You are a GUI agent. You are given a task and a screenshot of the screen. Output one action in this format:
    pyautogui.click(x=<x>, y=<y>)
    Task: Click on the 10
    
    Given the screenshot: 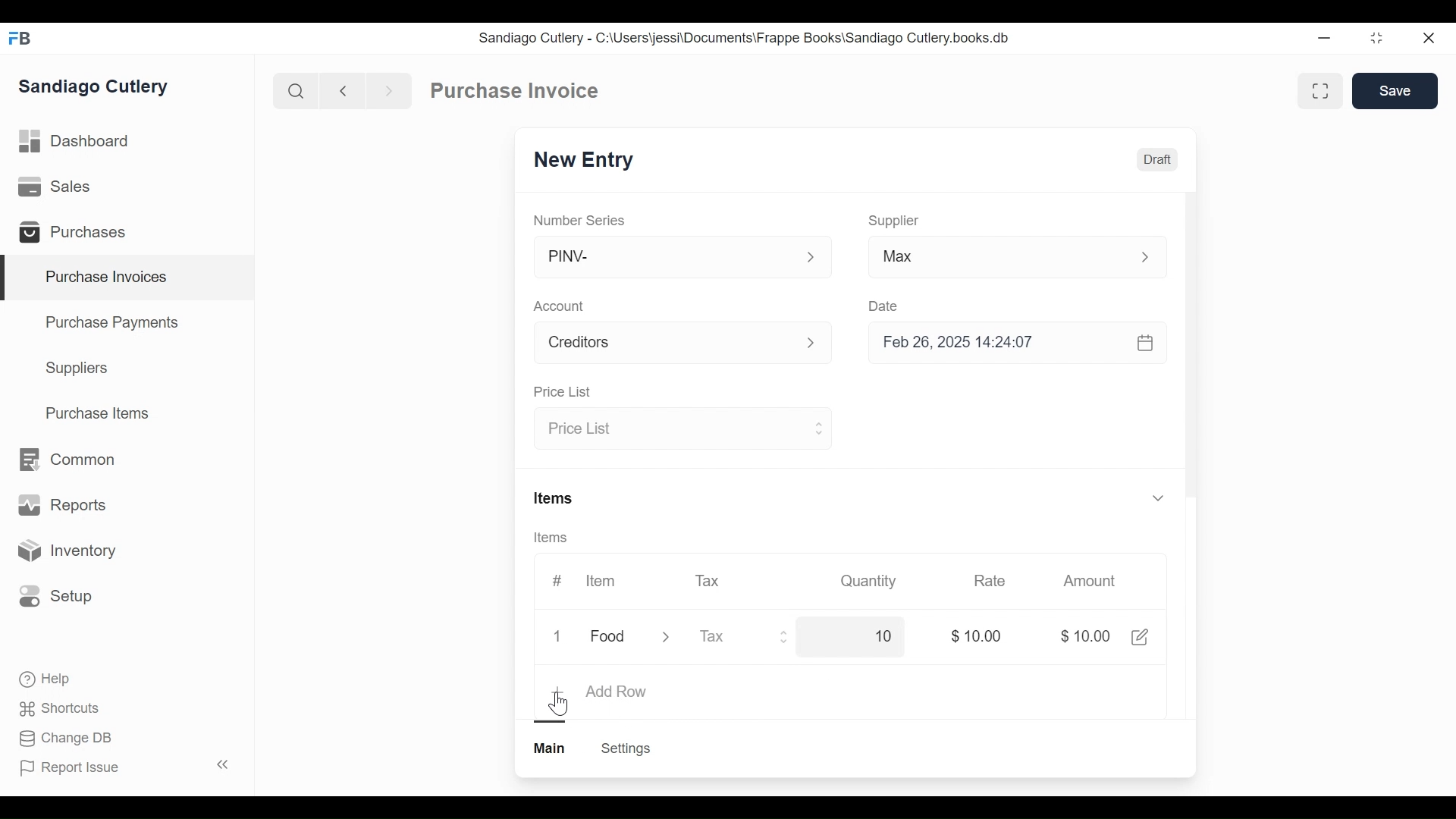 What is the action you would take?
    pyautogui.click(x=1239, y=937)
    